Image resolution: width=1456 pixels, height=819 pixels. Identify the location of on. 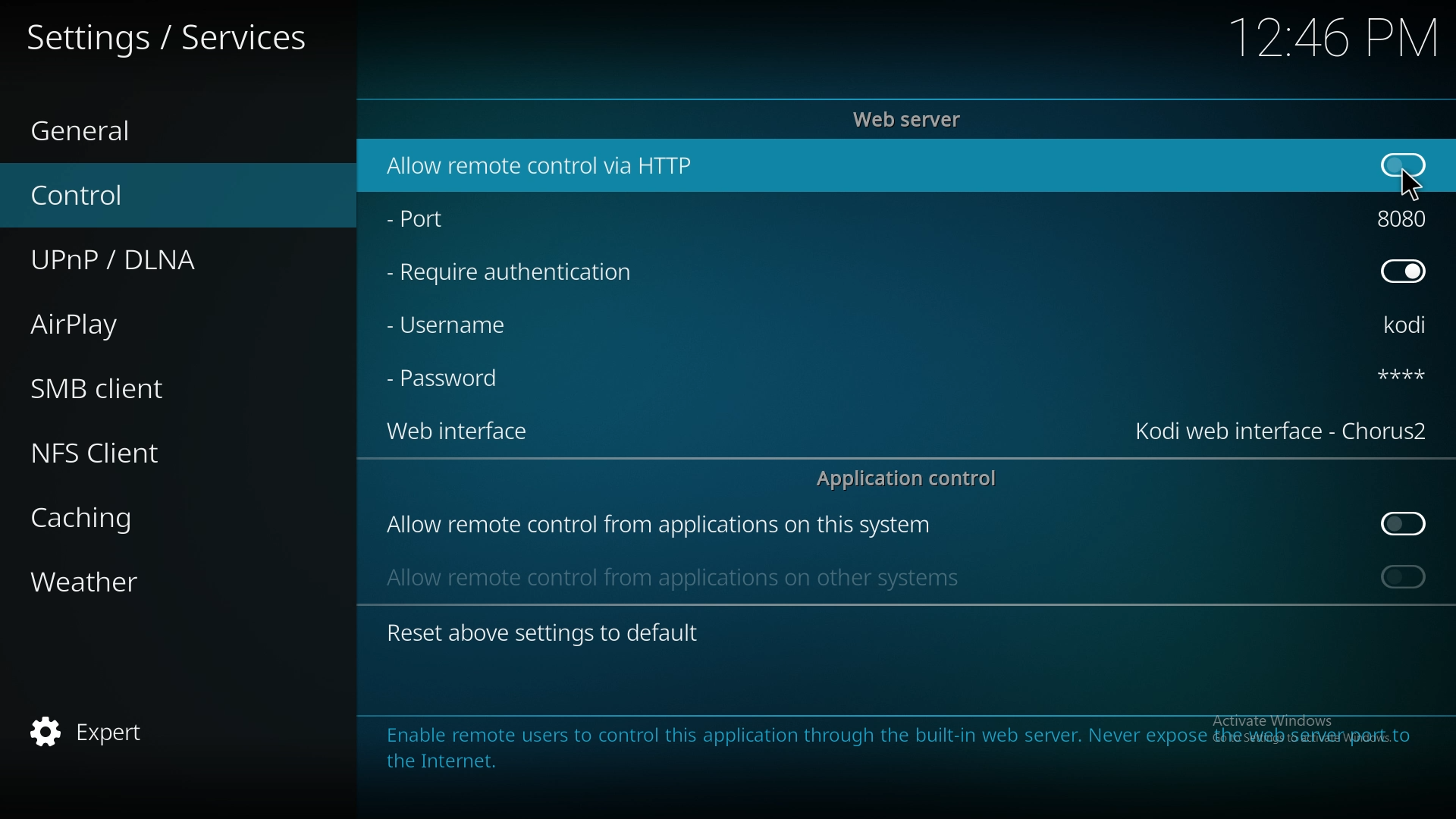
(1404, 576).